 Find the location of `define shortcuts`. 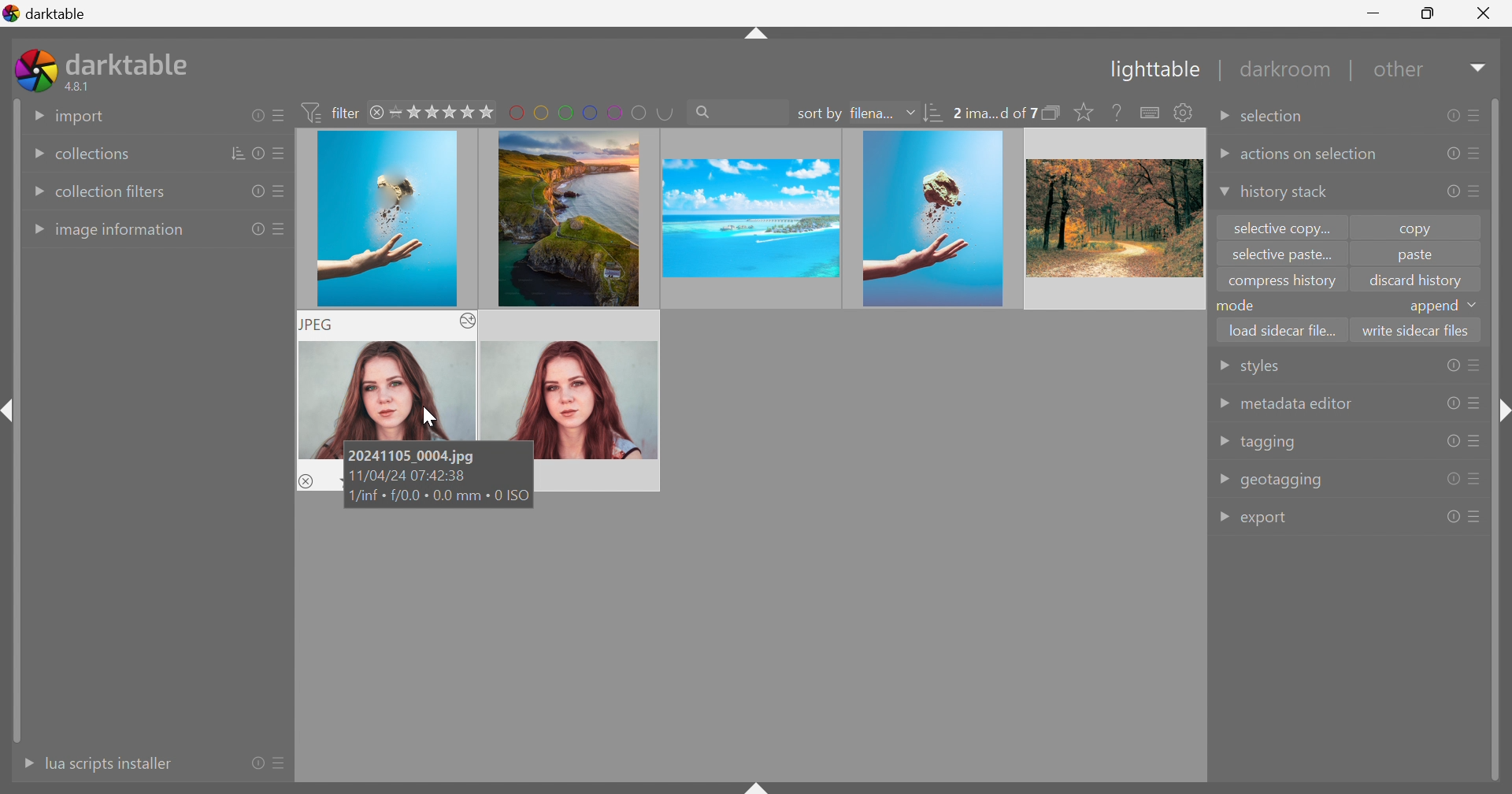

define shortcuts is located at coordinates (1151, 113).